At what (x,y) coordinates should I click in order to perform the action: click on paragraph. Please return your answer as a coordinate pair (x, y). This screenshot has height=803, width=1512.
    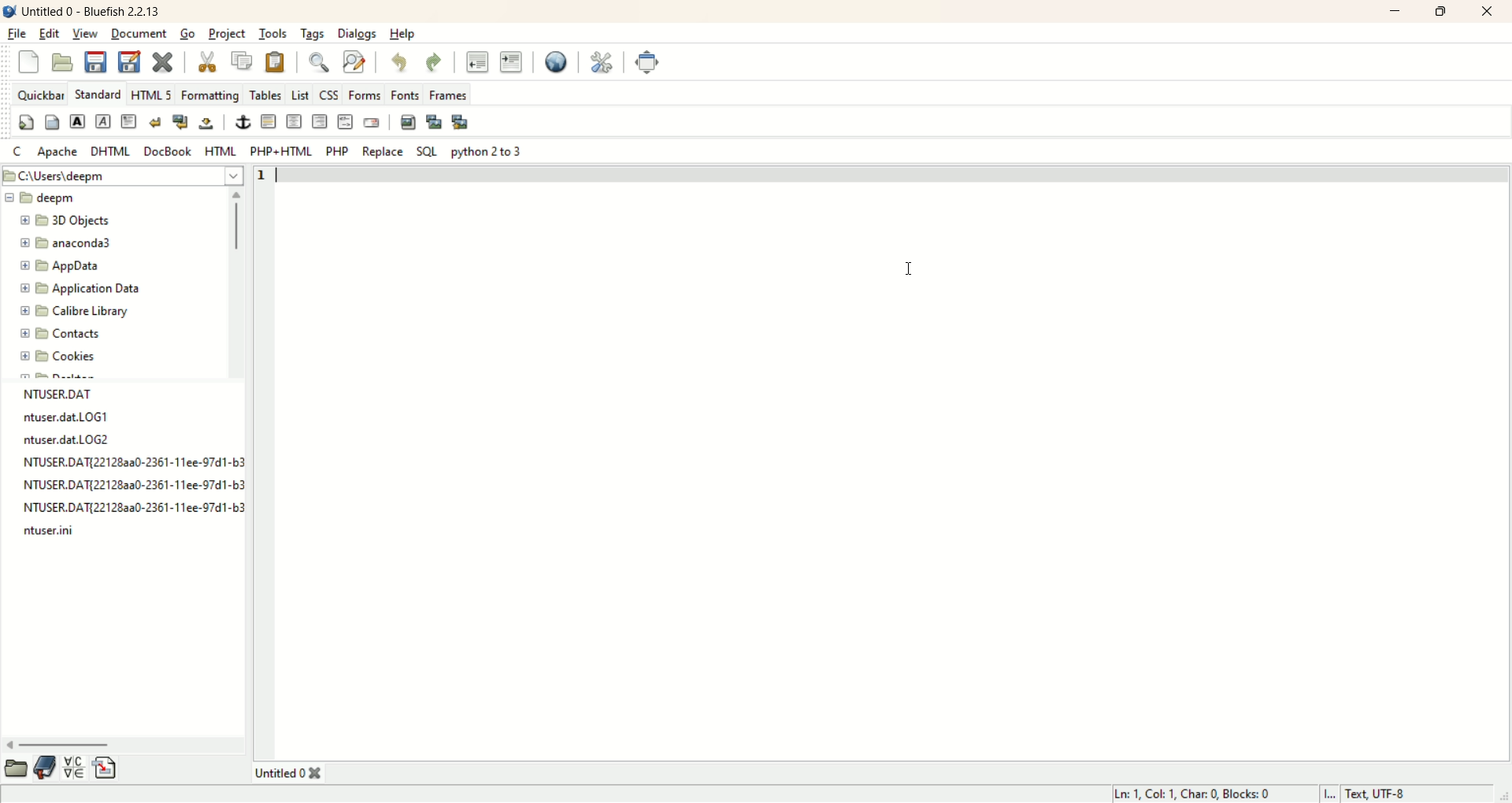
    Looking at the image, I should click on (129, 122).